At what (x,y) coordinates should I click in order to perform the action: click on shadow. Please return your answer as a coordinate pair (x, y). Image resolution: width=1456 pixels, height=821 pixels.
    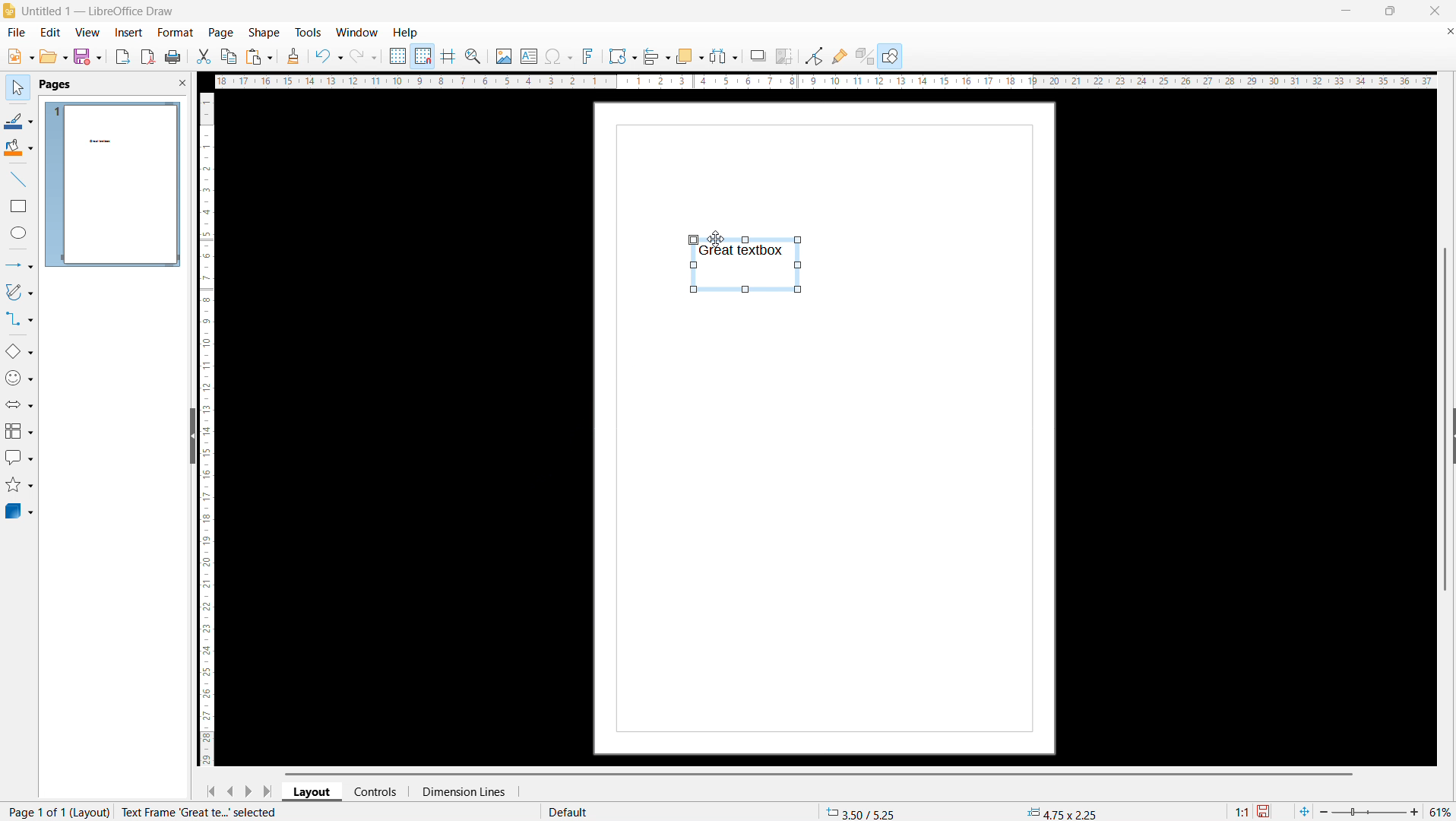
    Looking at the image, I should click on (758, 55).